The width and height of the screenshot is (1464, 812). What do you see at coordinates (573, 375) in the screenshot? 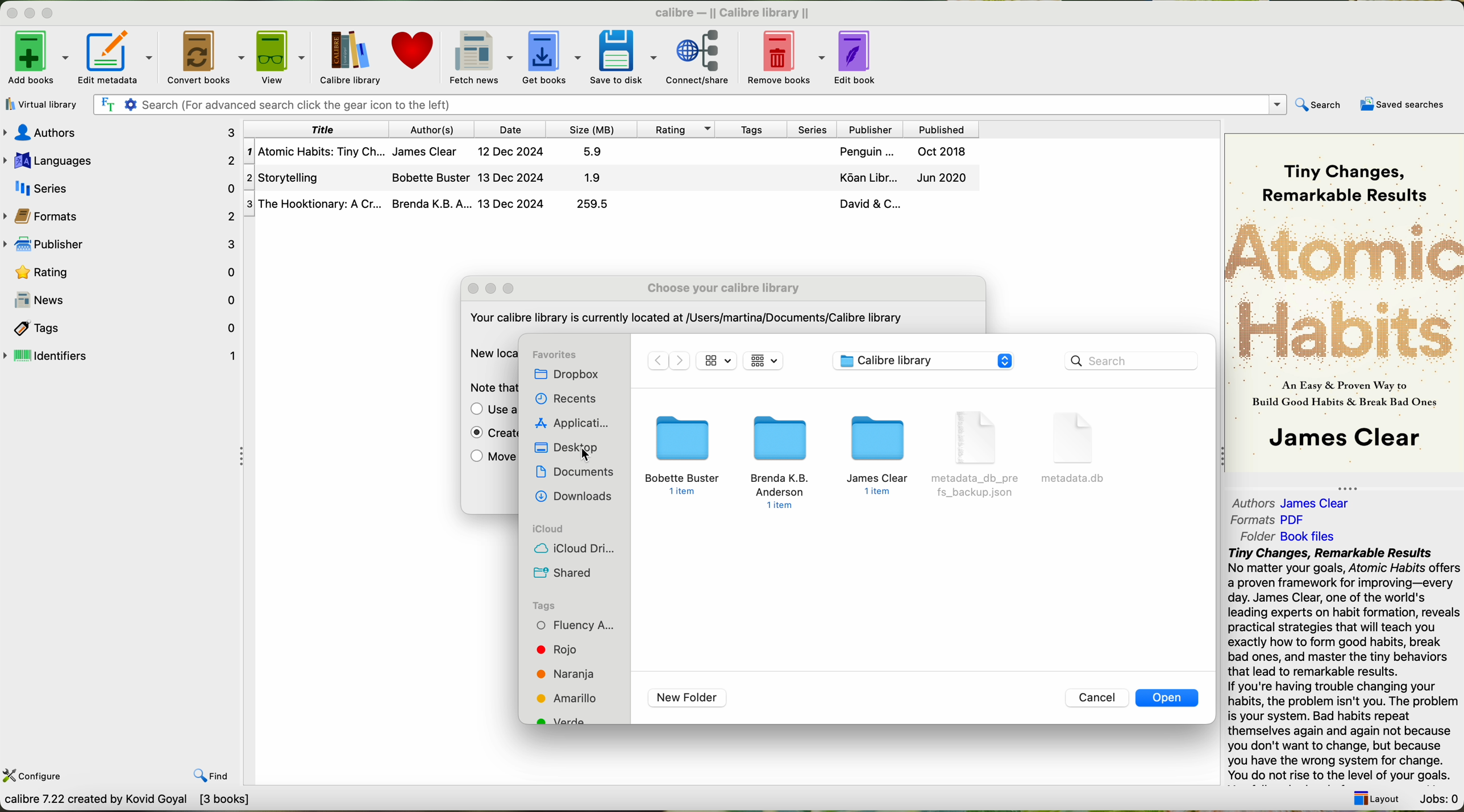
I see `dropbox` at bounding box center [573, 375].